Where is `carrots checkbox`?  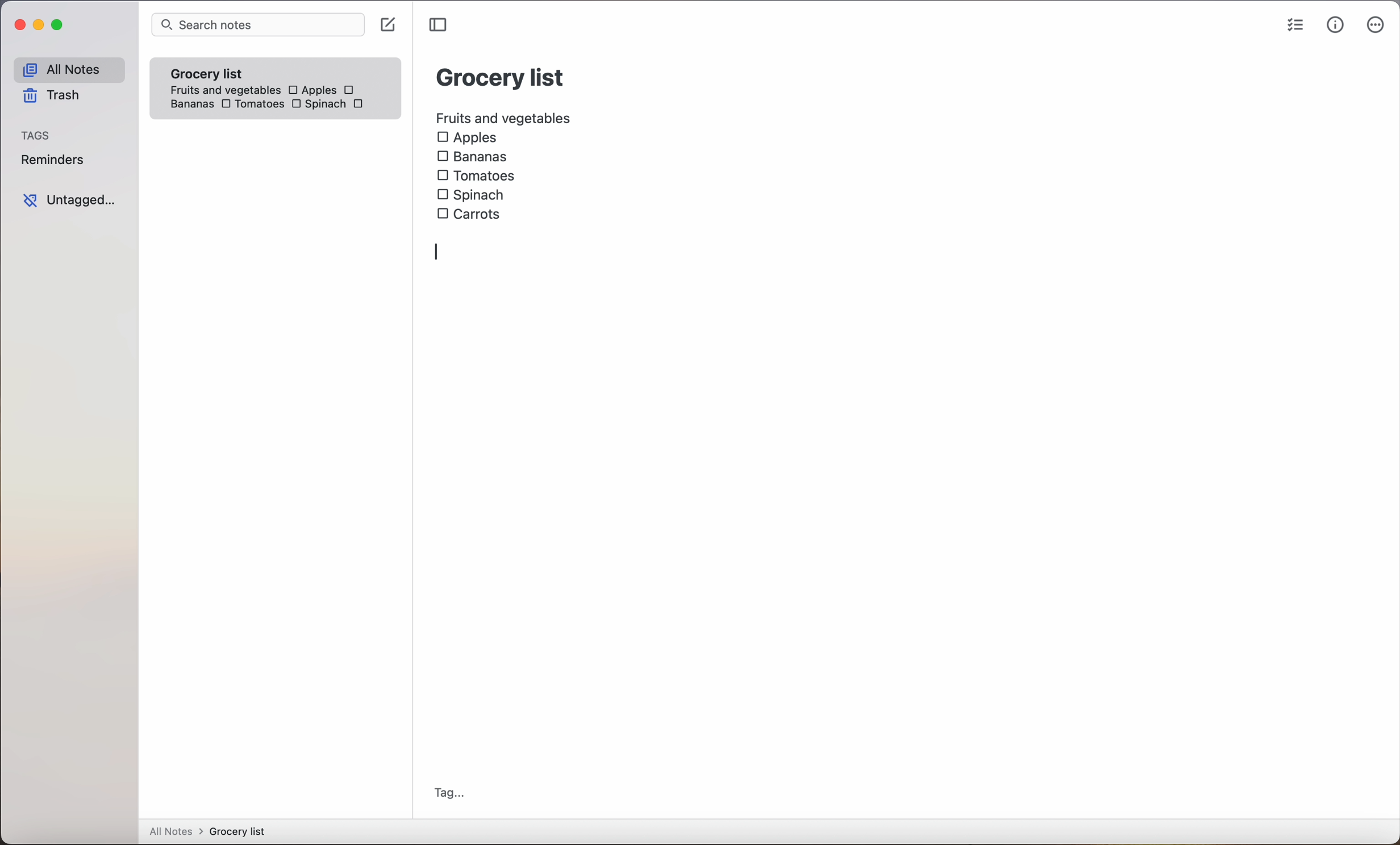 carrots checkbox is located at coordinates (472, 212).